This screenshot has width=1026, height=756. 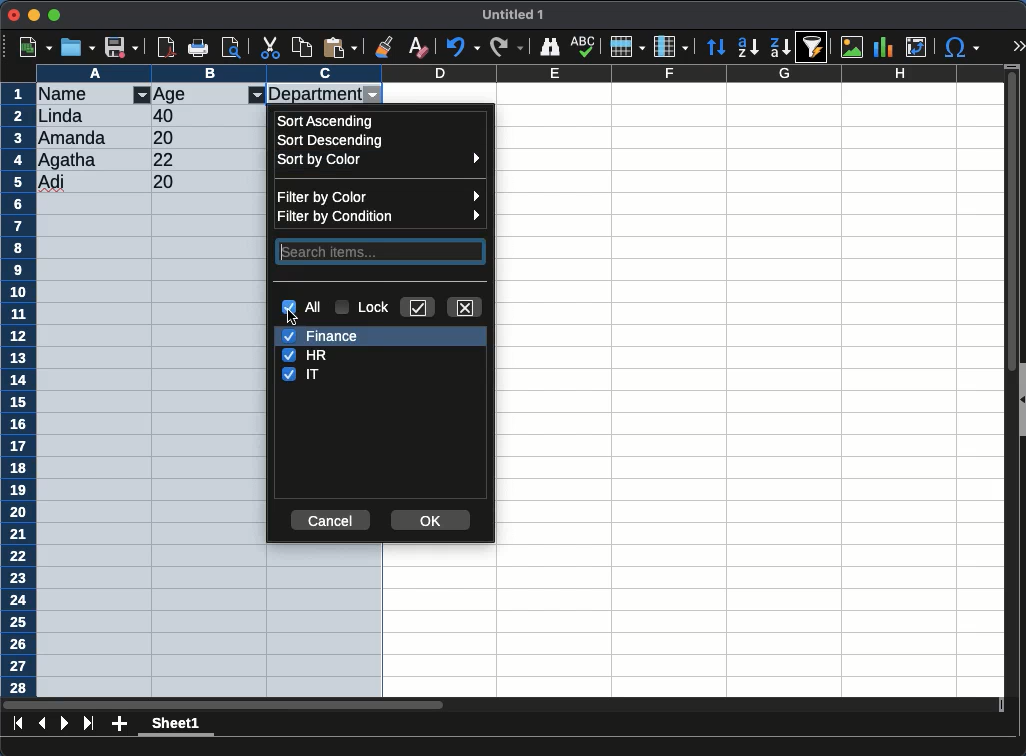 What do you see at coordinates (305, 354) in the screenshot?
I see `hr` at bounding box center [305, 354].